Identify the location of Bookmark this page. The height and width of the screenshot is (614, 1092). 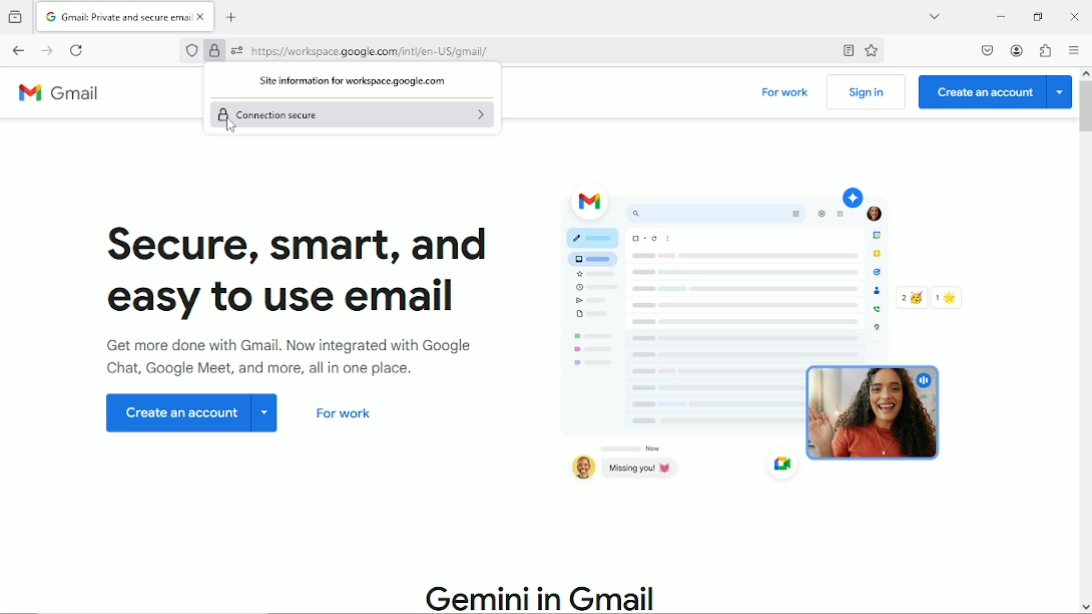
(871, 49).